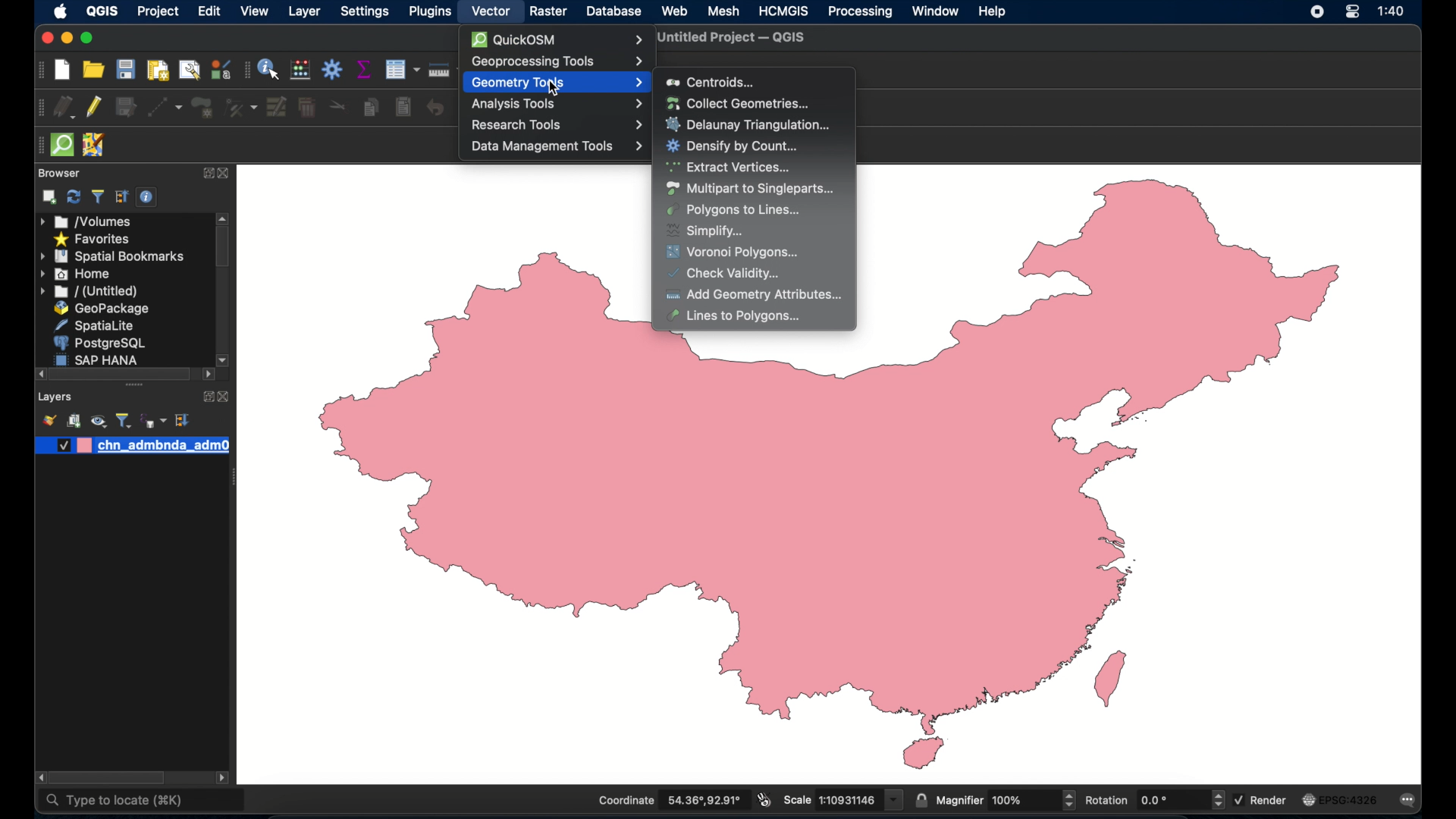 The width and height of the screenshot is (1456, 819). I want to click on add geometry attributes, so click(755, 294).